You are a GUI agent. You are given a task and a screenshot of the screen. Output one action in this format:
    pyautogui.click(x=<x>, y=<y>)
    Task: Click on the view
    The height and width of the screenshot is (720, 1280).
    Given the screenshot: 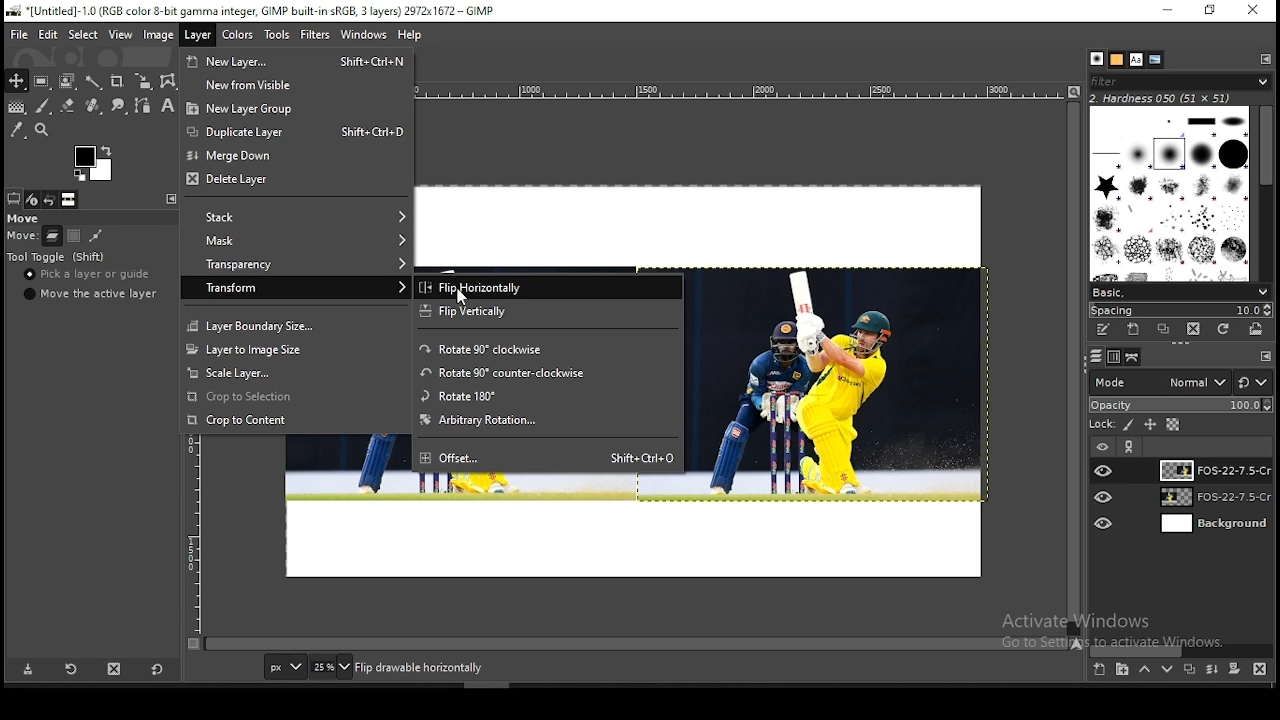 What is the action you would take?
    pyautogui.click(x=119, y=34)
    